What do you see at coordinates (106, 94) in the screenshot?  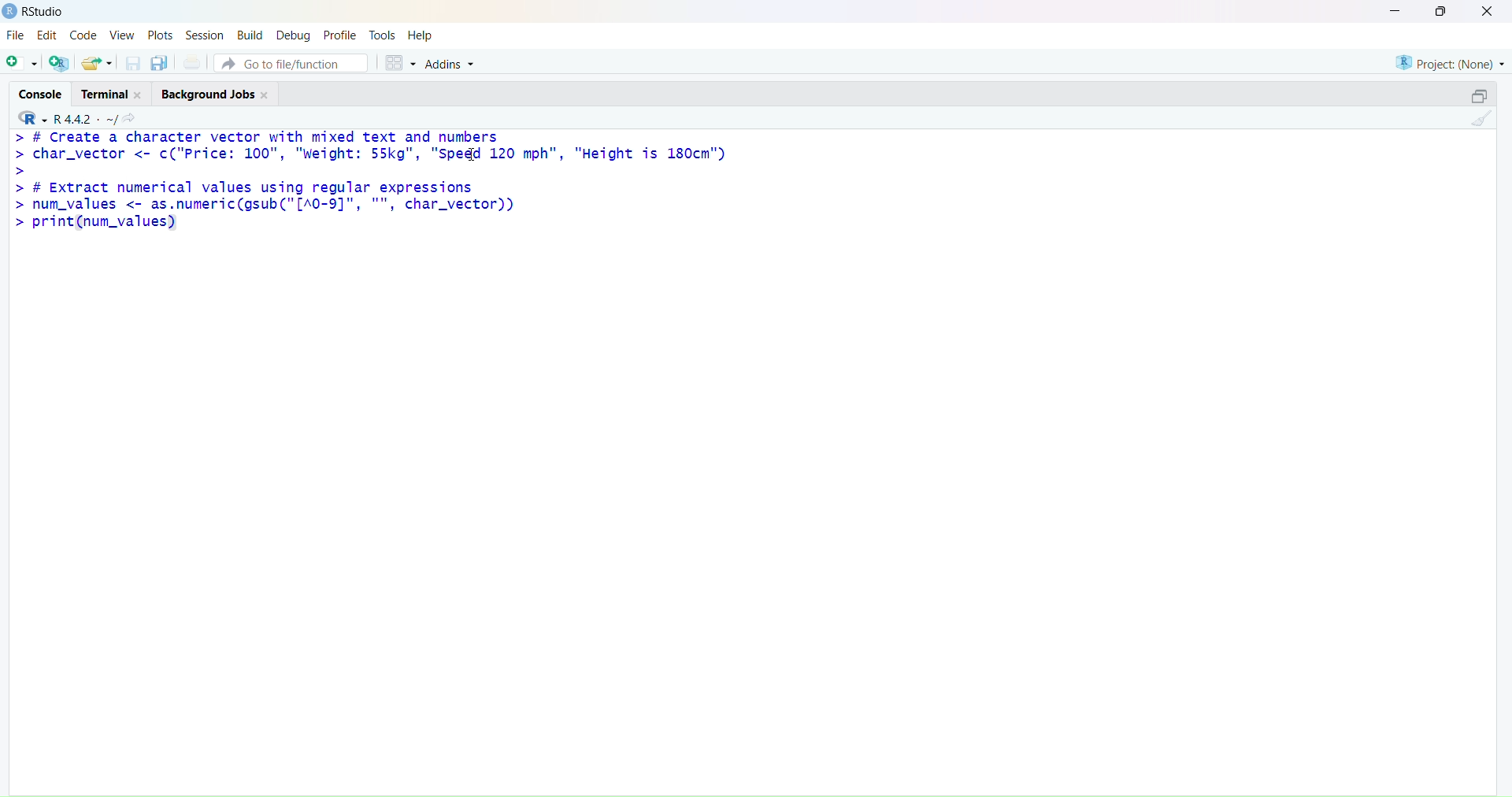 I see `terminal` at bounding box center [106, 94].